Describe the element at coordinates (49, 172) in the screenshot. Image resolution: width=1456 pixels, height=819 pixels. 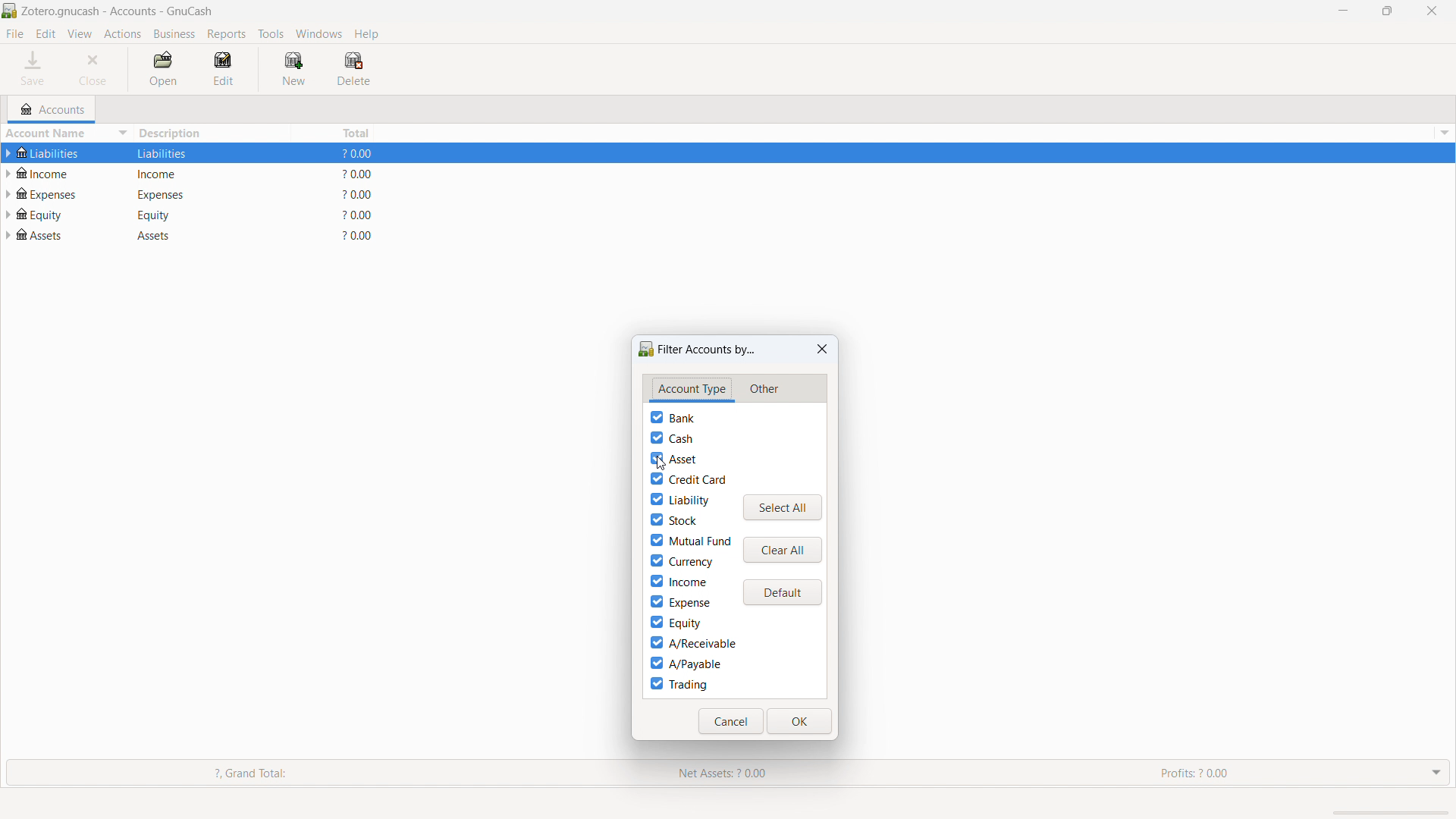
I see `income` at that location.